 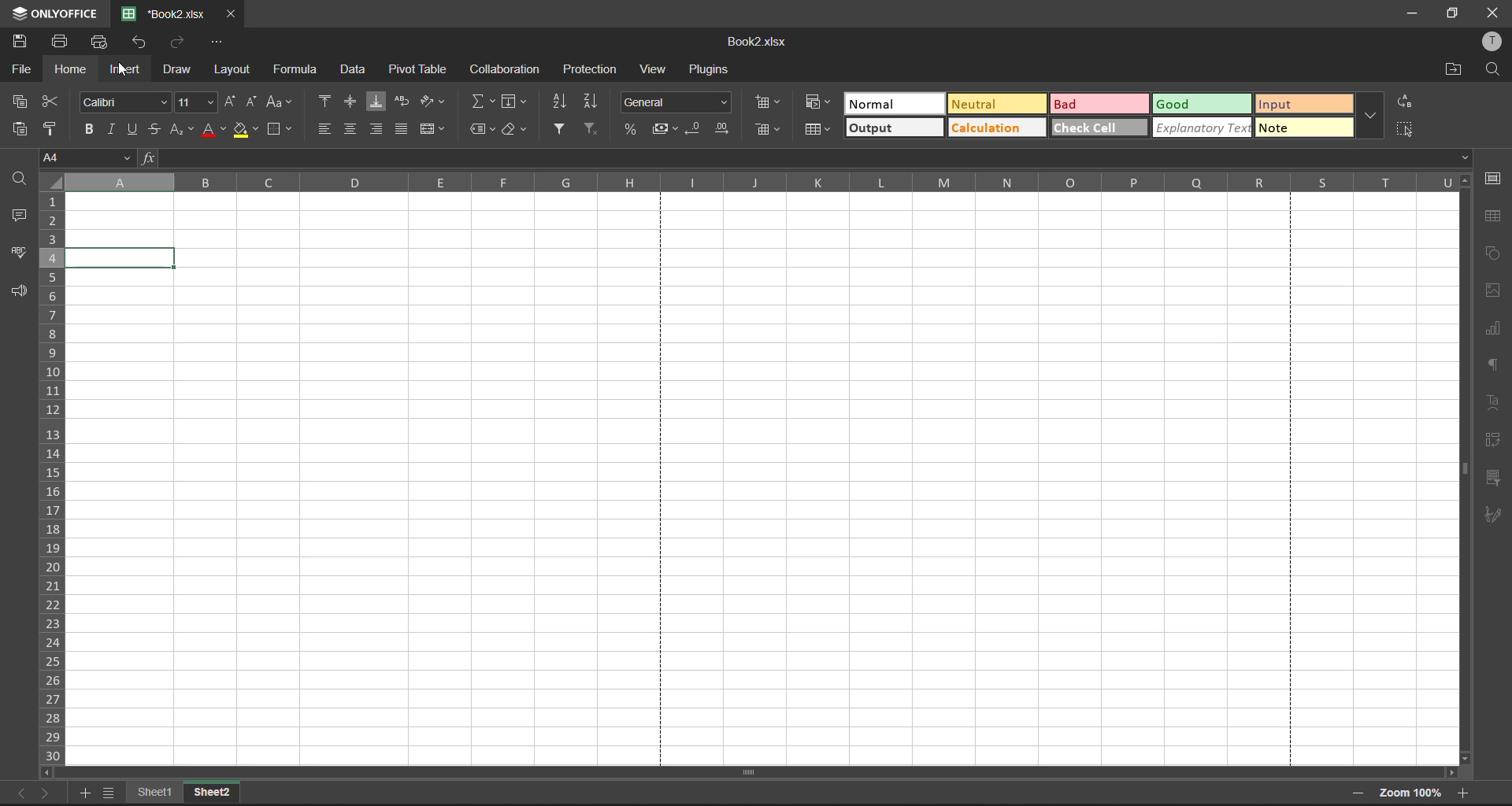 I want to click on accounting, so click(x=665, y=130).